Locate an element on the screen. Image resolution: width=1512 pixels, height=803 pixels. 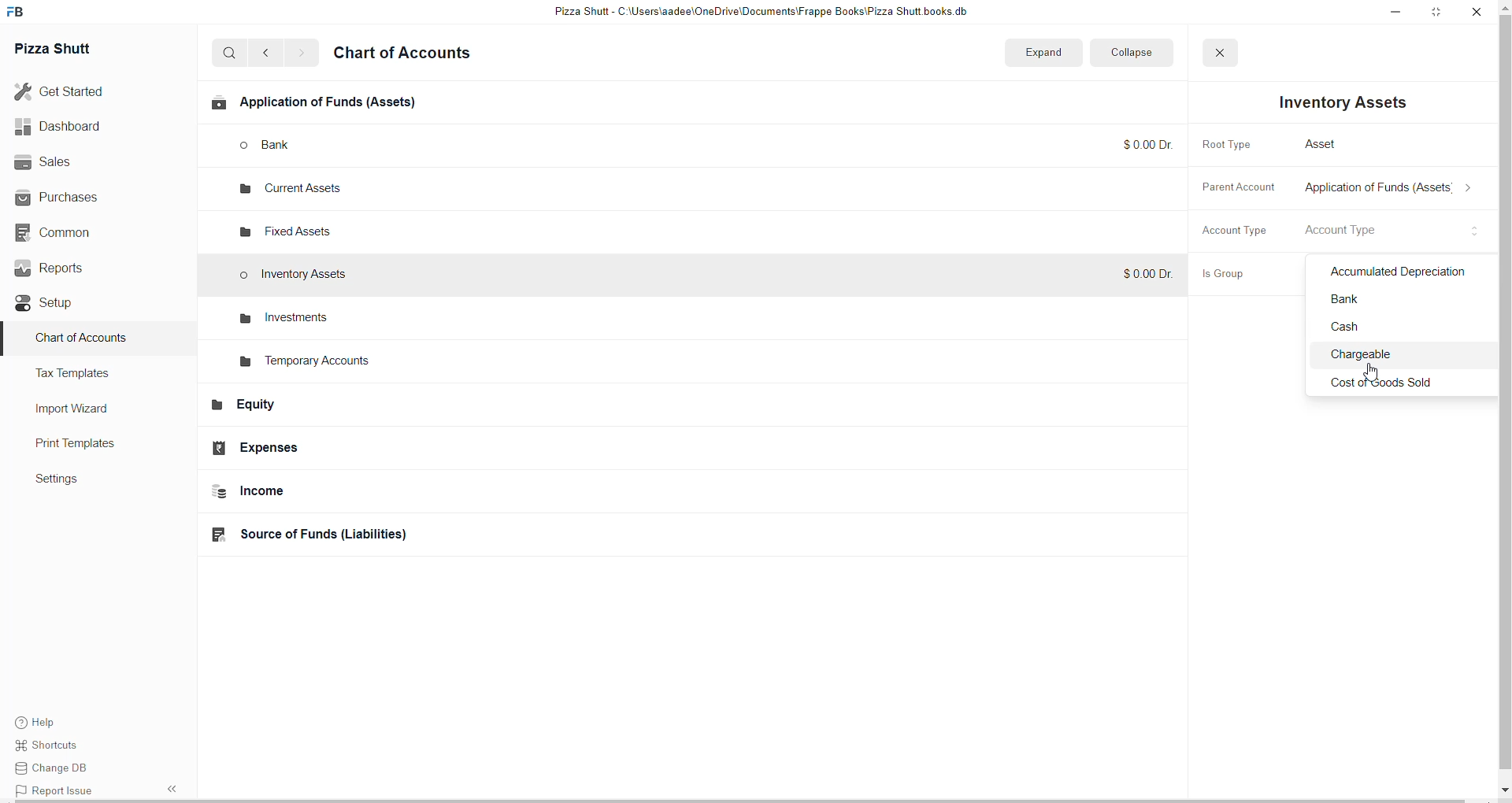
Temporary Accounts  is located at coordinates (309, 364).